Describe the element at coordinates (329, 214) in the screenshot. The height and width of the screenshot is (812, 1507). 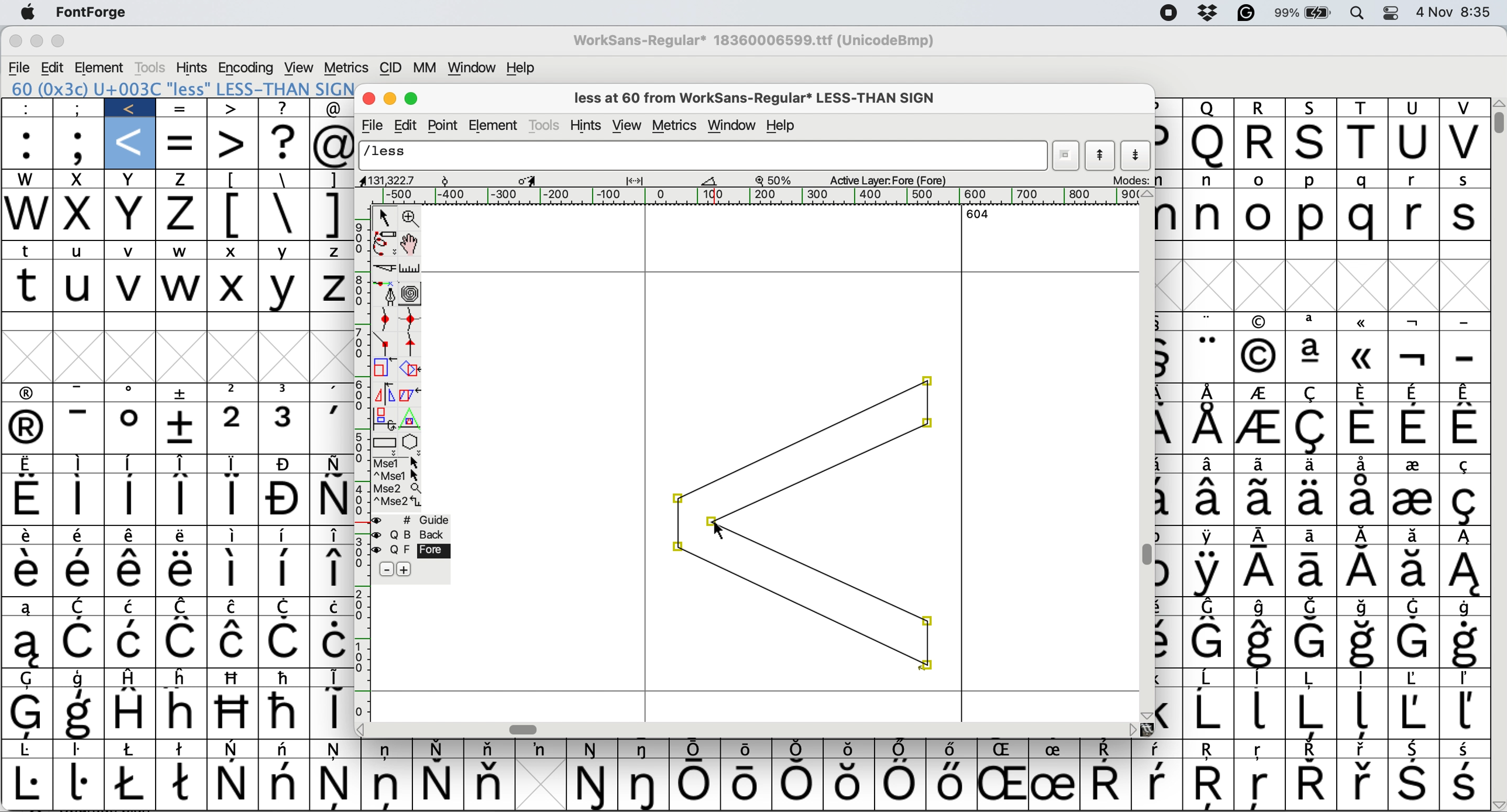
I see `]` at that location.